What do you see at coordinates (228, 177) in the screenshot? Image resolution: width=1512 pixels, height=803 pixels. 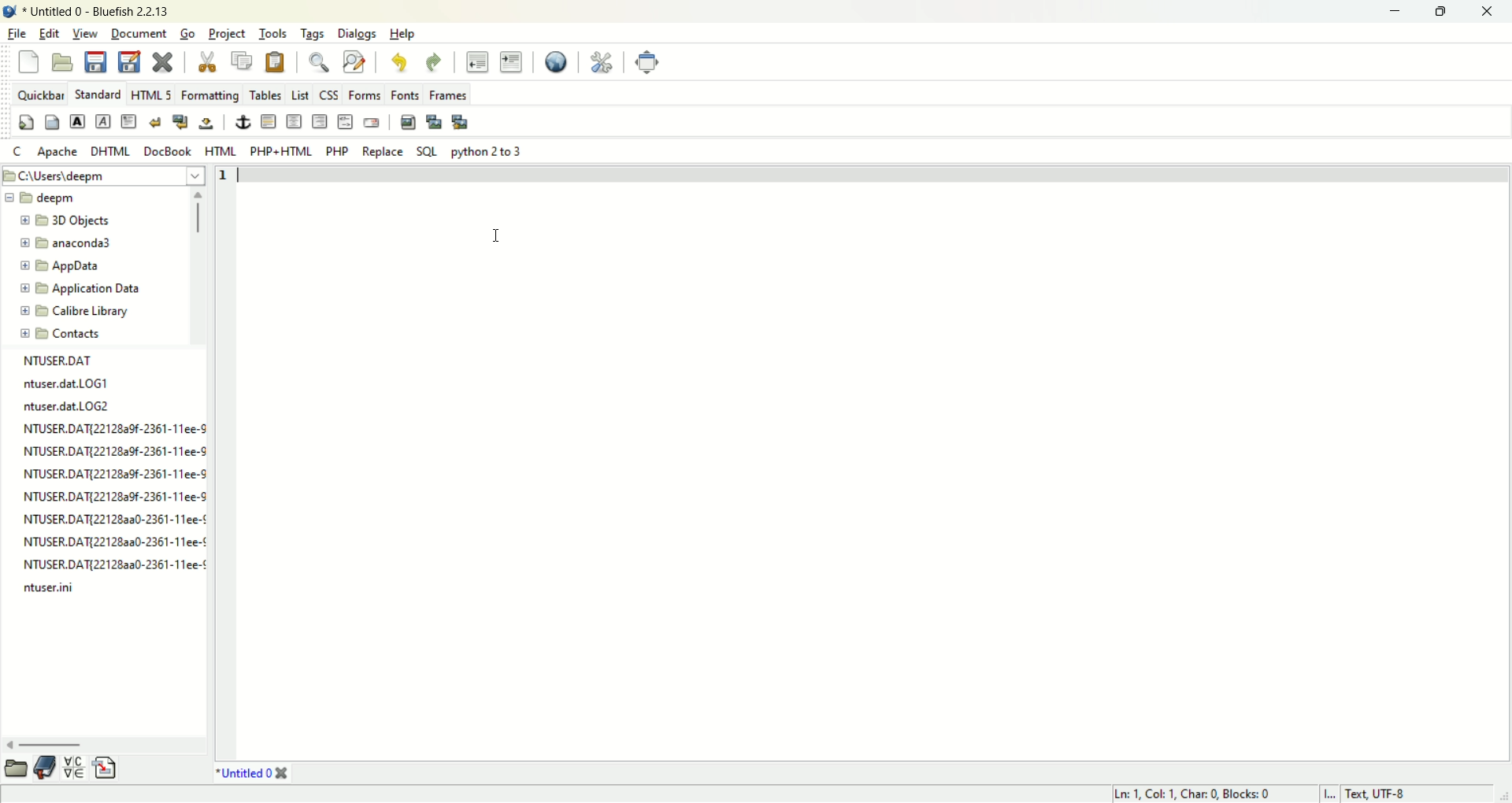 I see `line number` at bounding box center [228, 177].